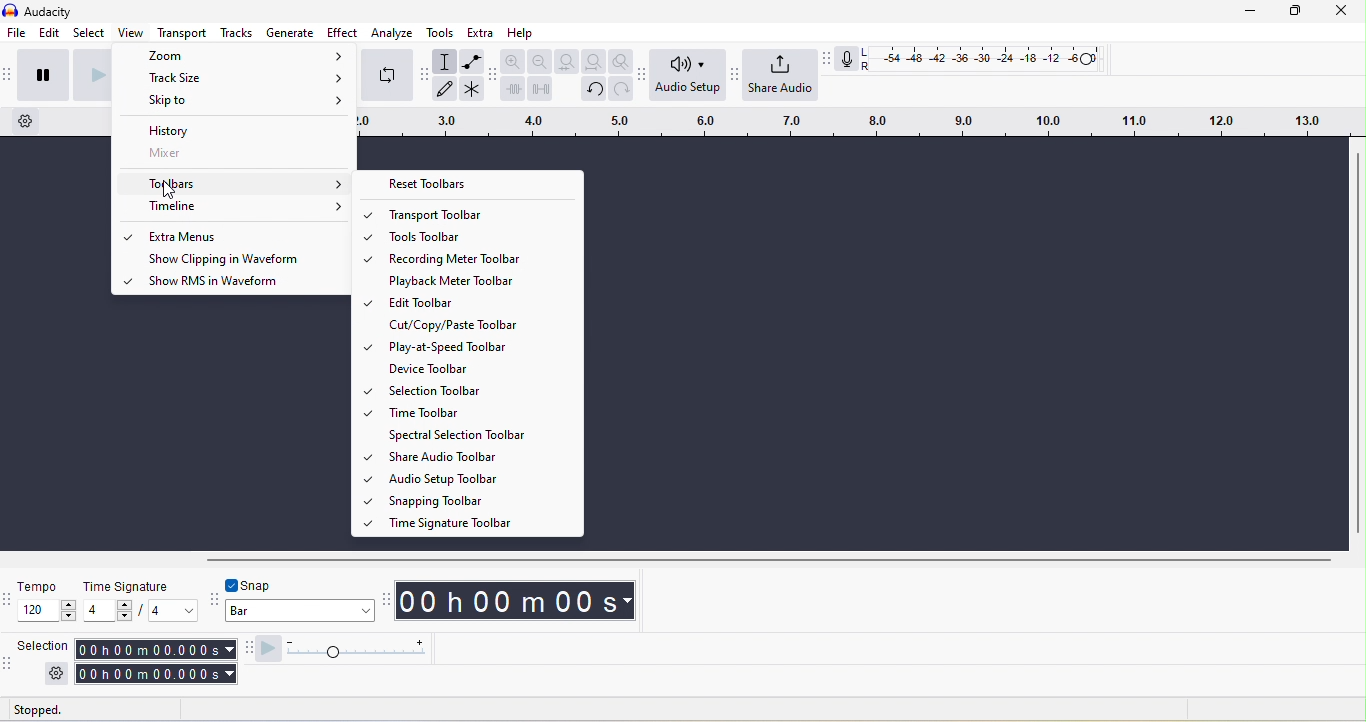  Describe the element at coordinates (512, 88) in the screenshot. I see `trim audio outside selection` at that location.